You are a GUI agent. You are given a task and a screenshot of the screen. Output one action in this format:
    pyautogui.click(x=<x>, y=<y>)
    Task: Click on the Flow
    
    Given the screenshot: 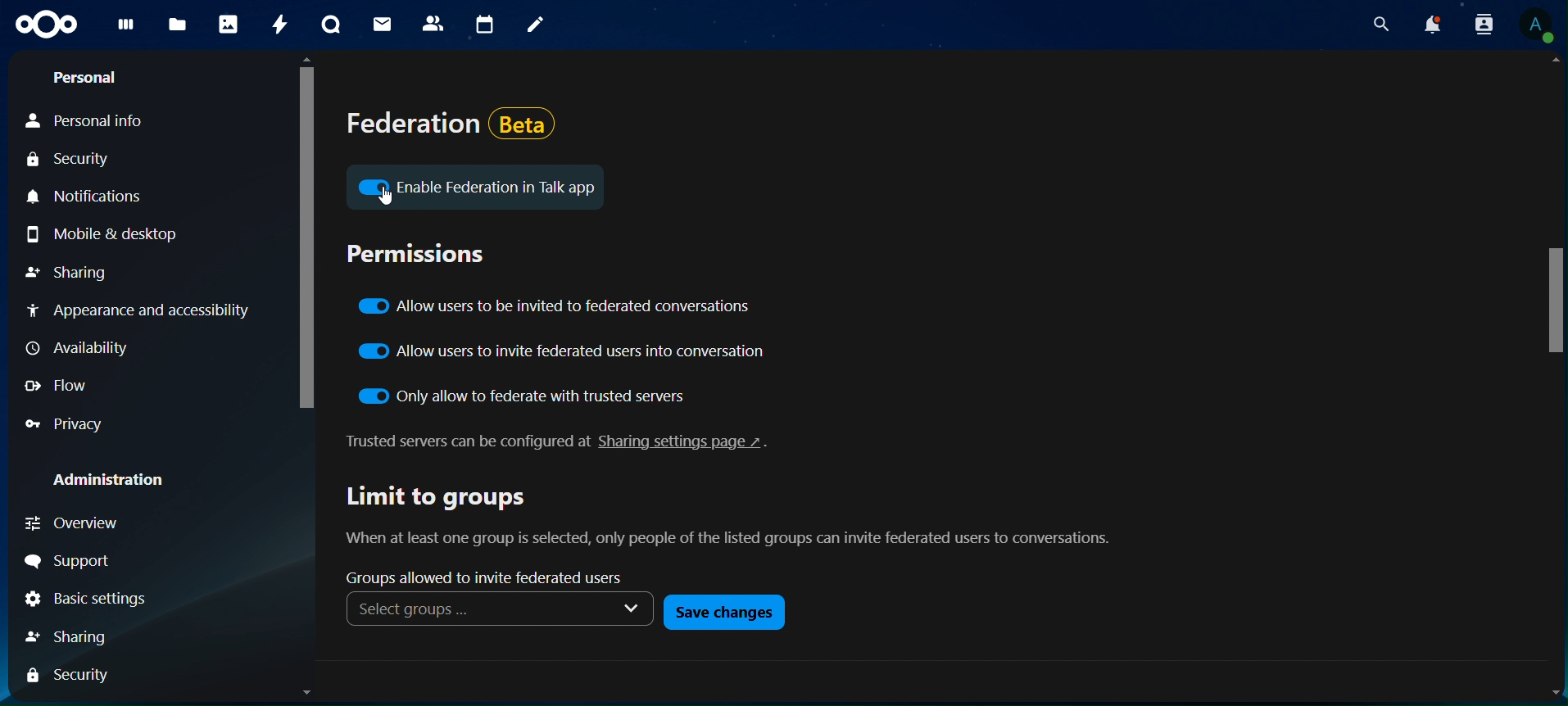 What is the action you would take?
    pyautogui.click(x=59, y=386)
    